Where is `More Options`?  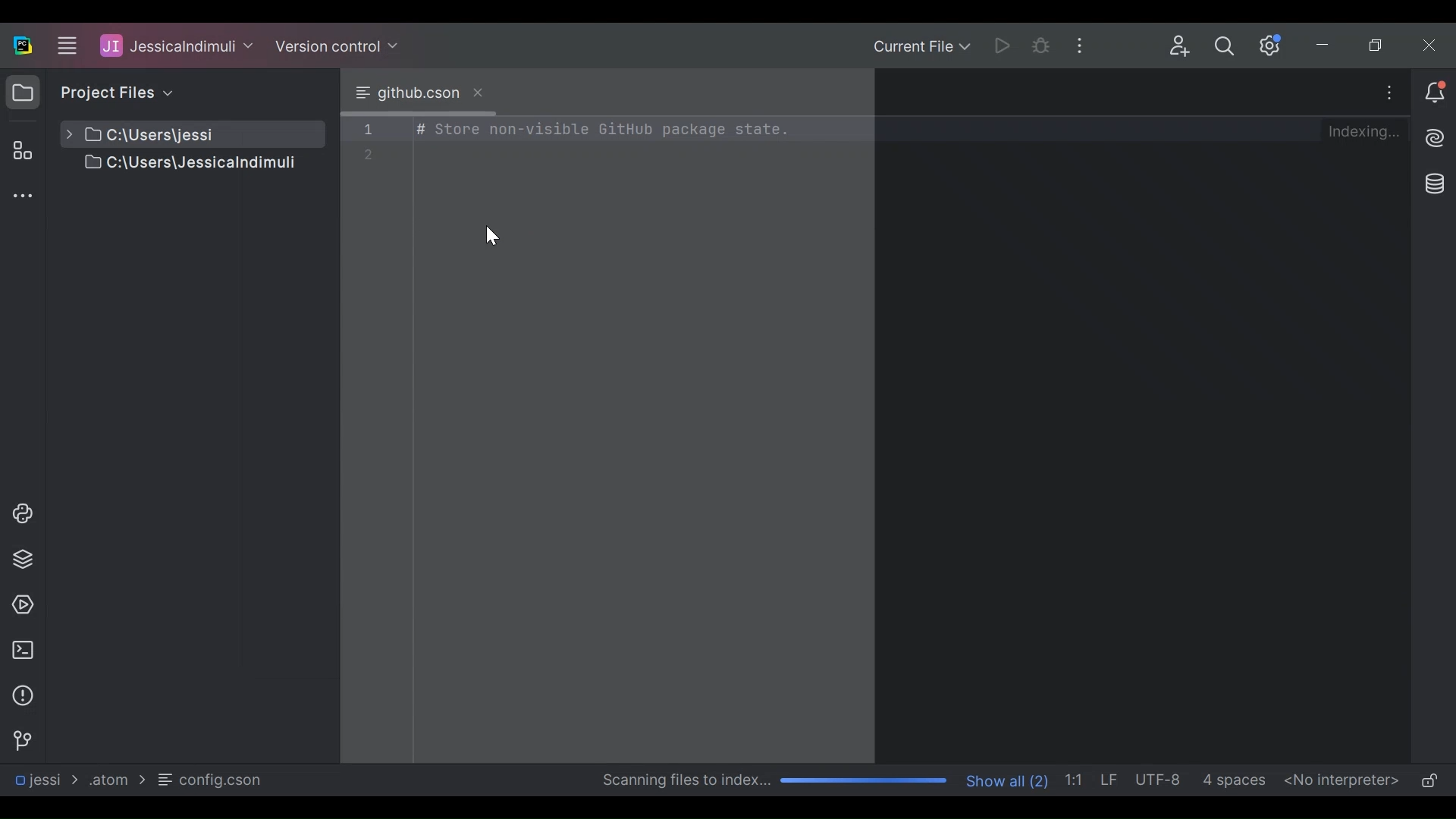 More Options is located at coordinates (1082, 45).